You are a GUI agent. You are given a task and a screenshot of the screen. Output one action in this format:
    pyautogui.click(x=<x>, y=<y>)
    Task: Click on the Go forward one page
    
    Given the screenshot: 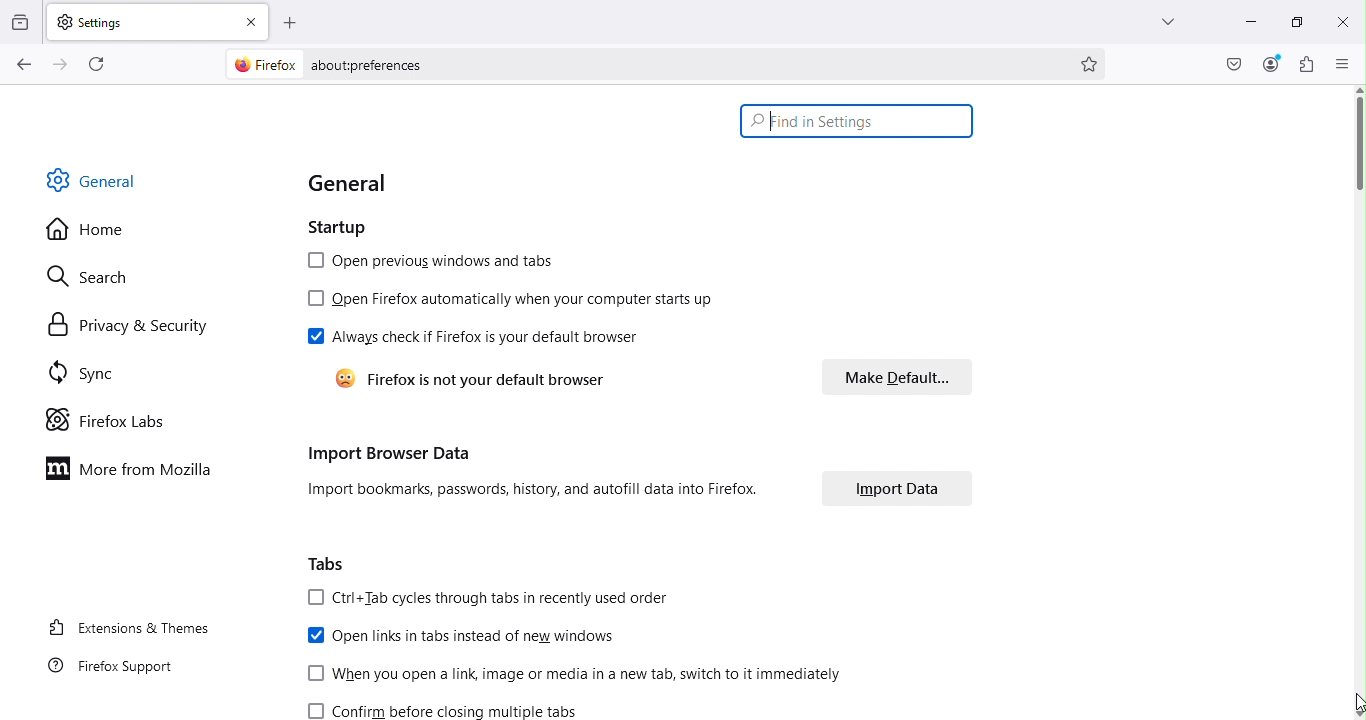 What is the action you would take?
    pyautogui.click(x=63, y=63)
    